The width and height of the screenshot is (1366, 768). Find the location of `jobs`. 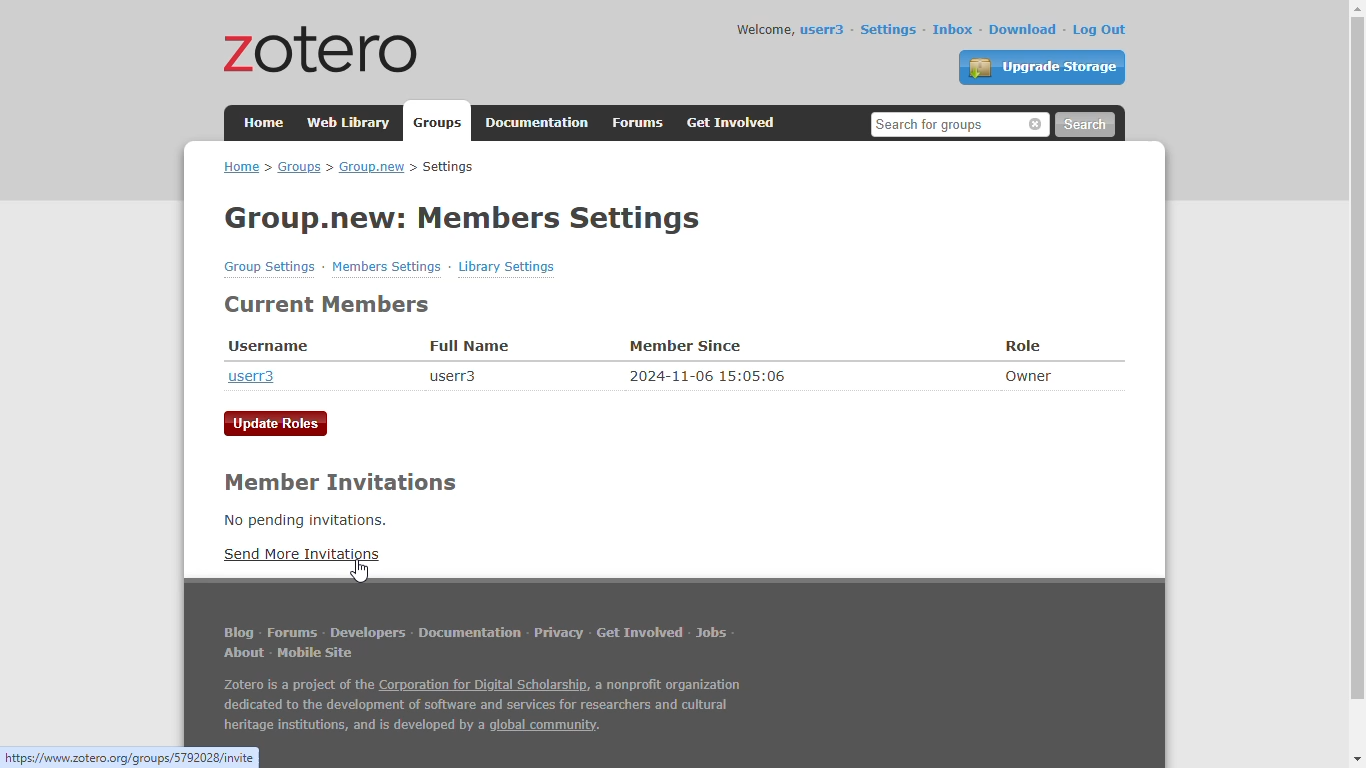

jobs is located at coordinates (712, 633).